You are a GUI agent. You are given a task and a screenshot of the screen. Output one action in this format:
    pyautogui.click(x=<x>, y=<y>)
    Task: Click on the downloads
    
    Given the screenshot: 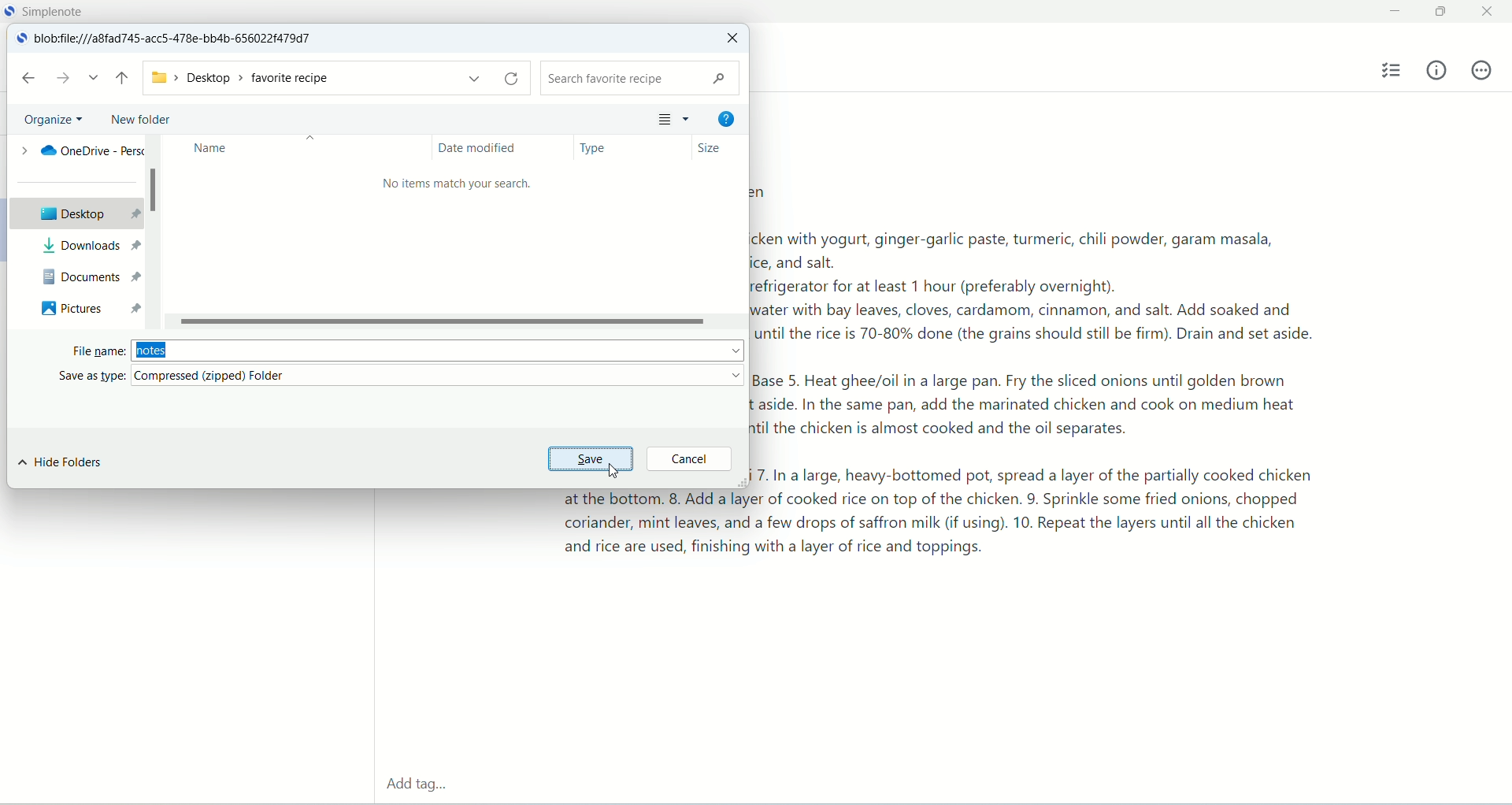 What is the action you would take?
    pyautogui.click(x=87, y=245)
    